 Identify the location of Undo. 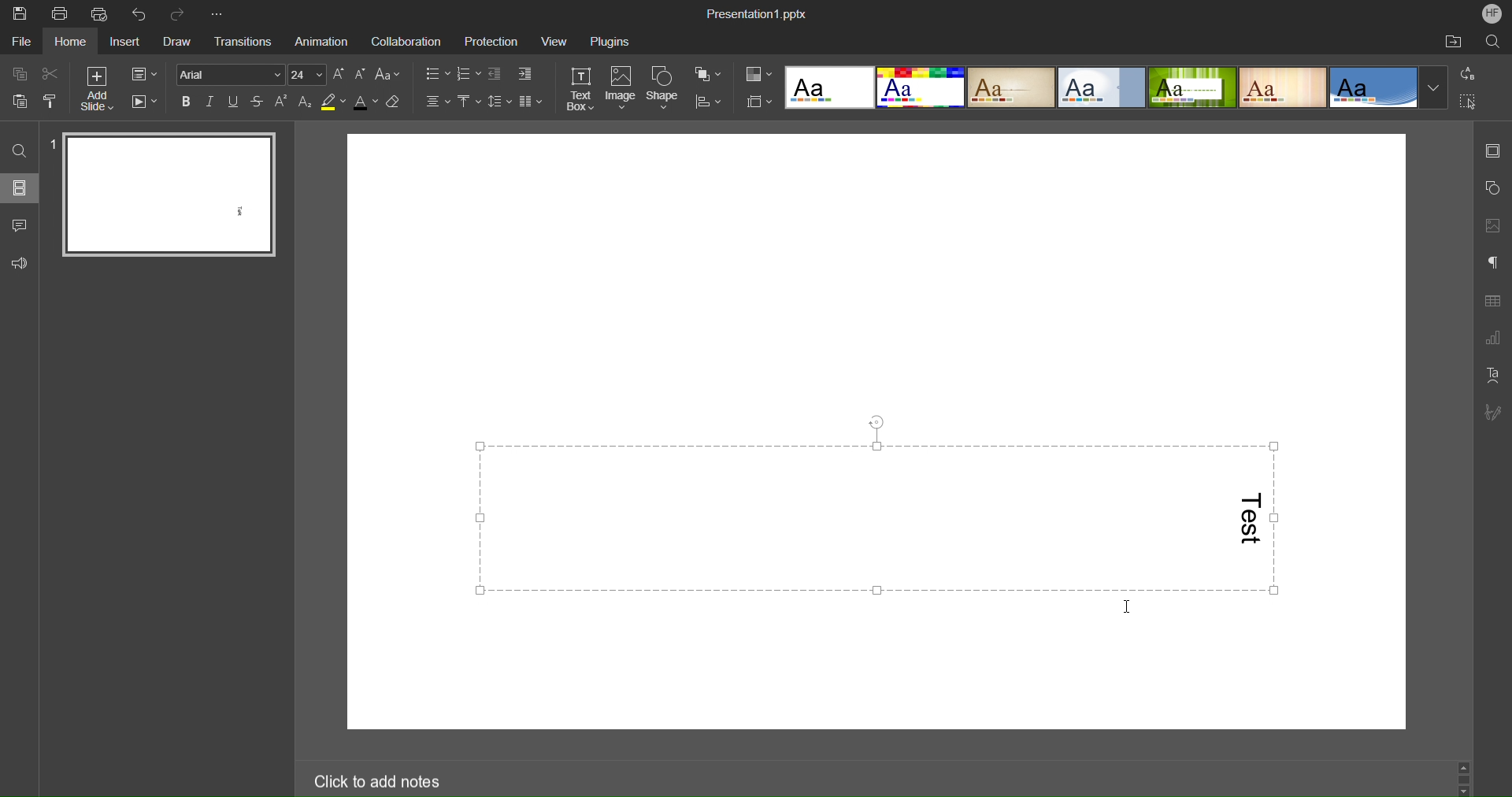
(142, 13).